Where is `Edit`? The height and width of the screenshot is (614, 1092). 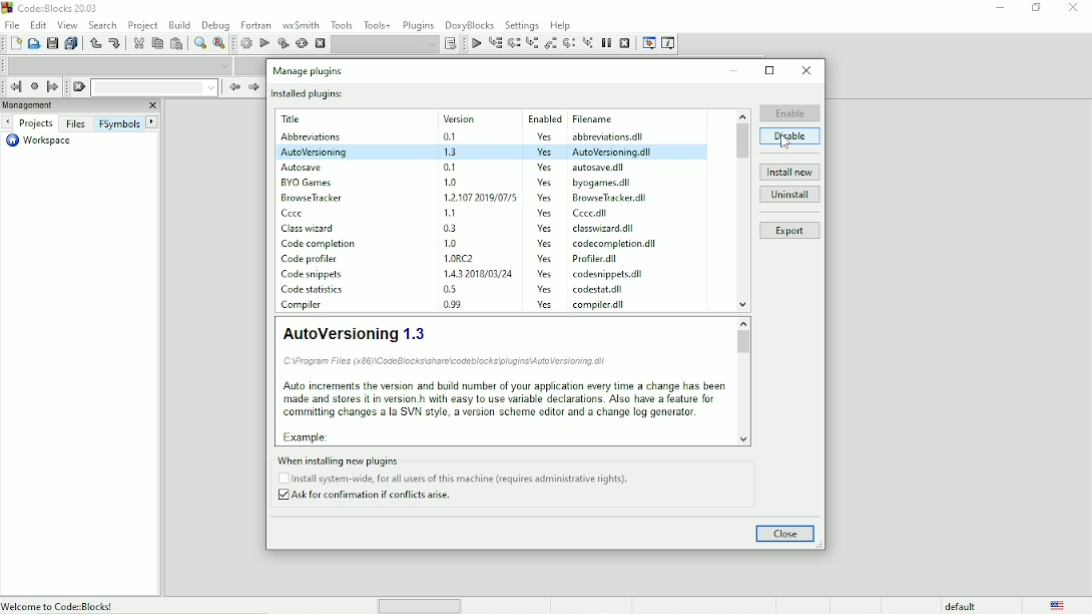 Edit is located at coordinates (39, 24).